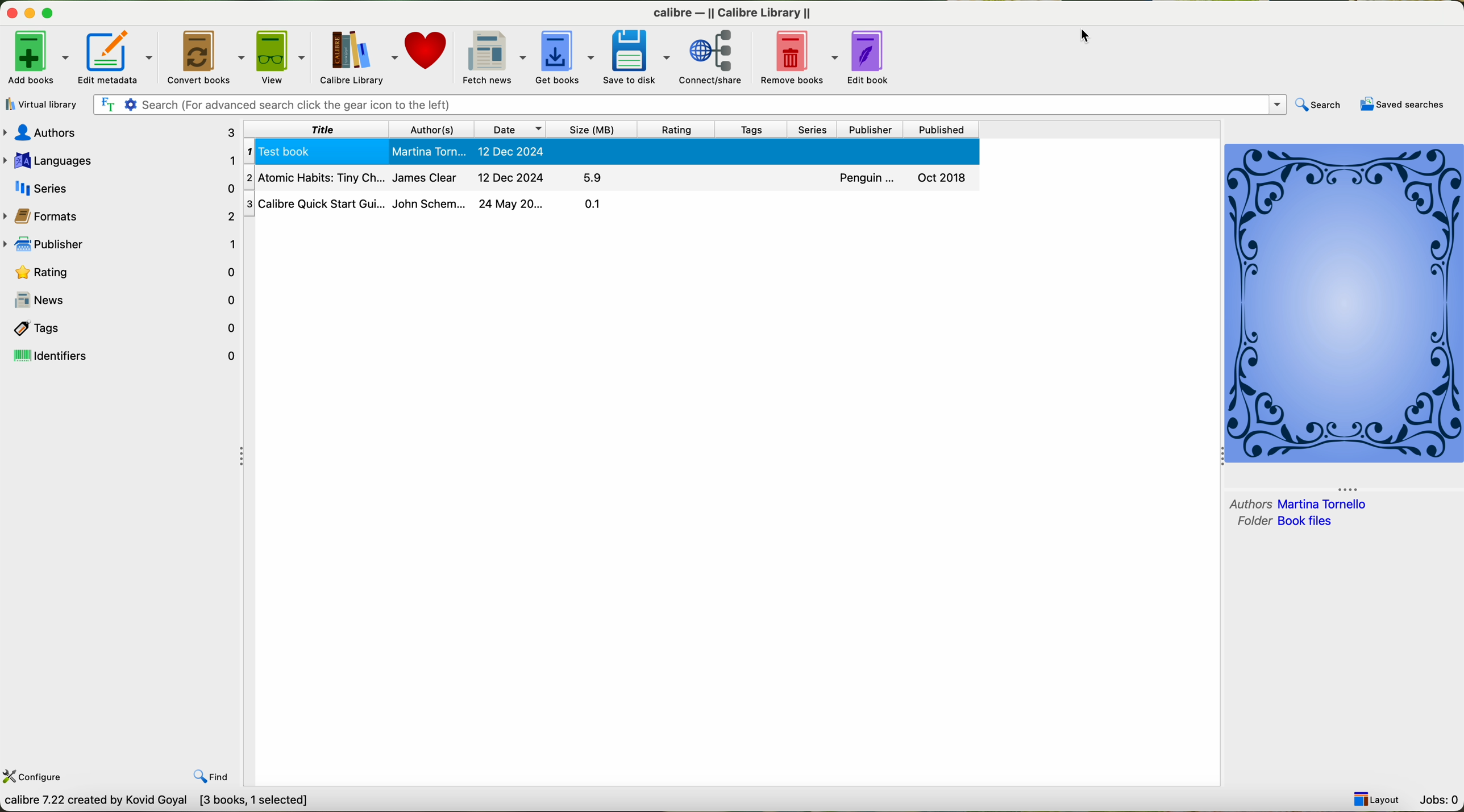 The image size is (1464, 812). I want to click on date, so click(514, 128).